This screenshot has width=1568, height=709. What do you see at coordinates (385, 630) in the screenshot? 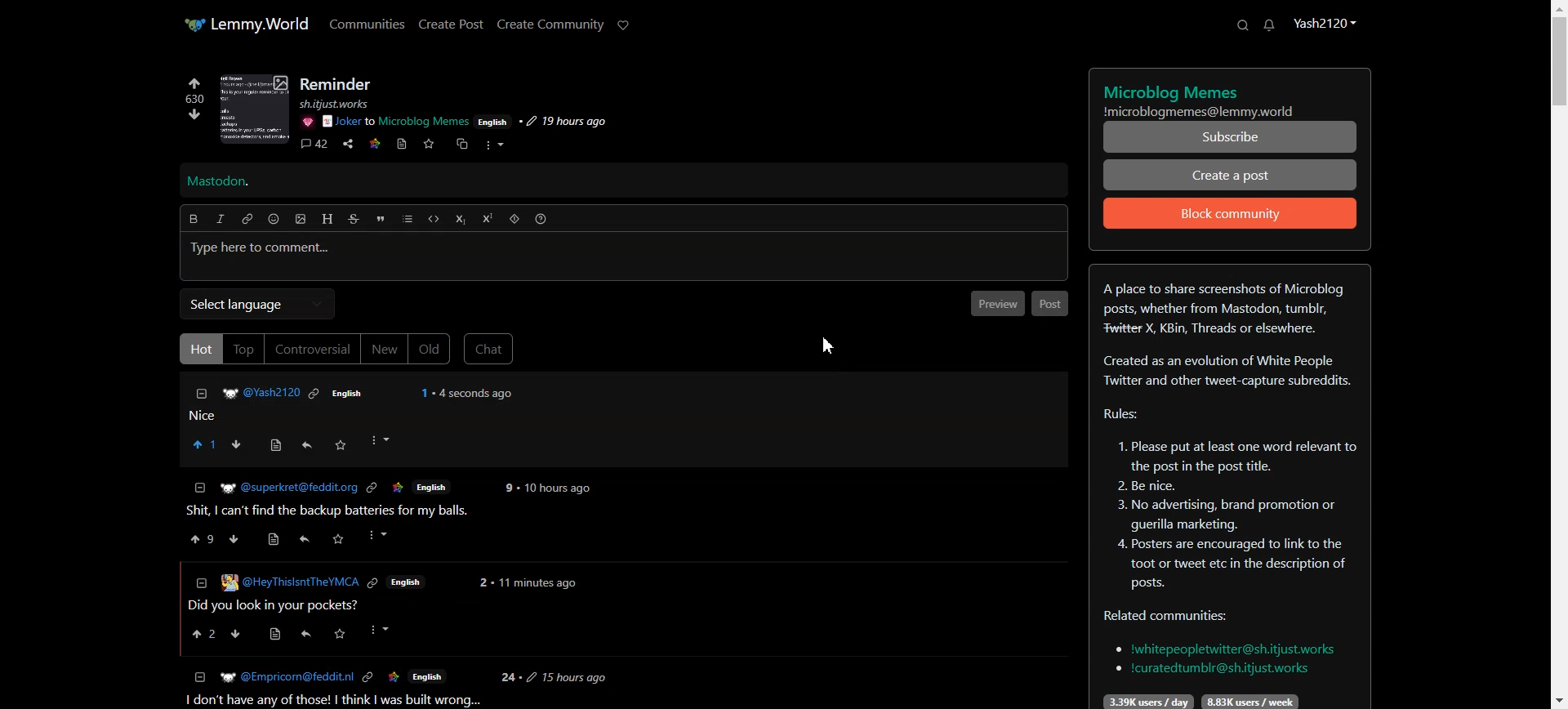
I see `` at bounding box center [385, 630].